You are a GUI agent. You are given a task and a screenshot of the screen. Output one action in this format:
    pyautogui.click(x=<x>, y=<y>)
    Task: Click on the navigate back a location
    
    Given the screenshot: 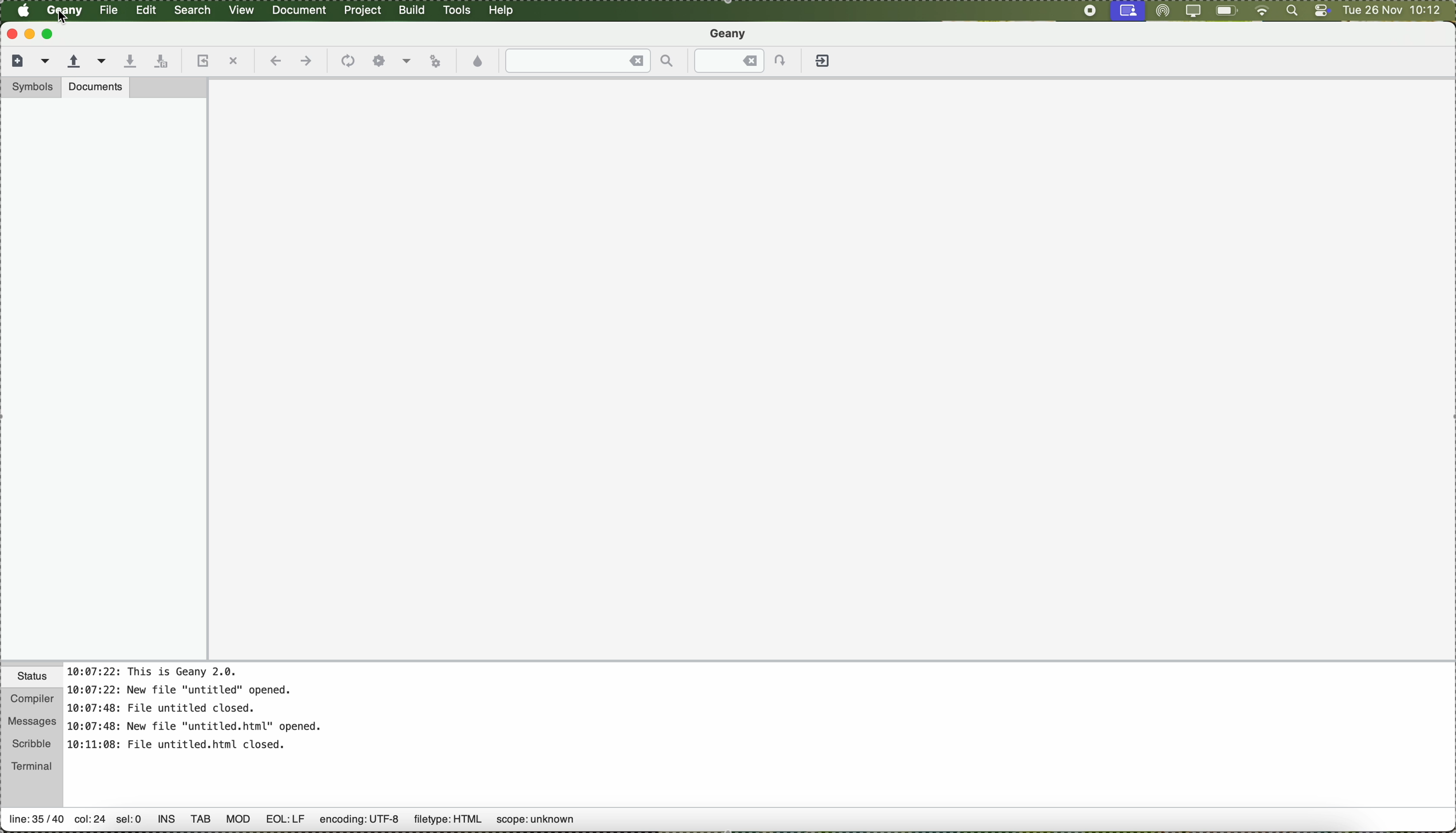 What is the action you would take?
    pyautogui.click(x=276, y=62)
    